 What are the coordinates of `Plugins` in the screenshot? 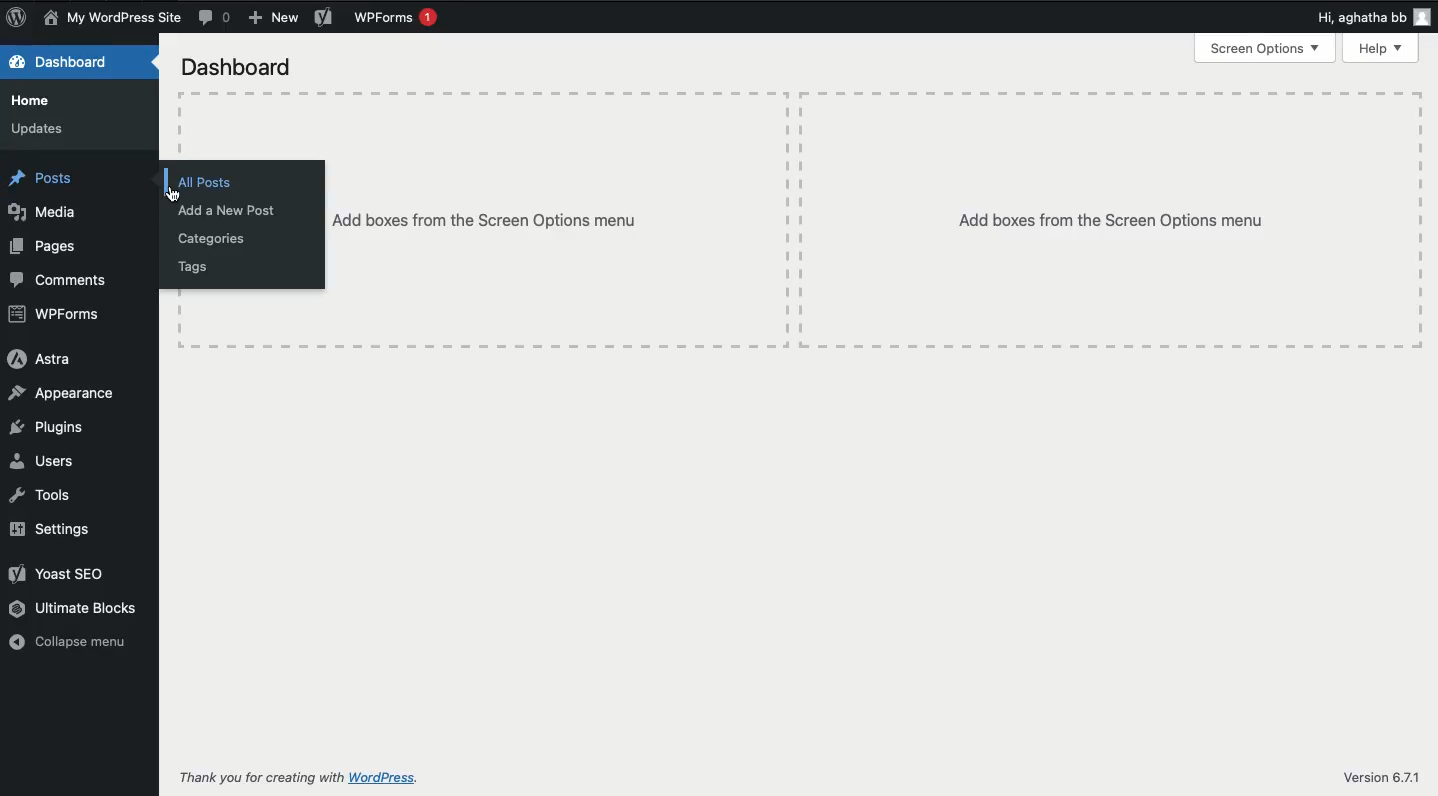 It's located at (47, 428).